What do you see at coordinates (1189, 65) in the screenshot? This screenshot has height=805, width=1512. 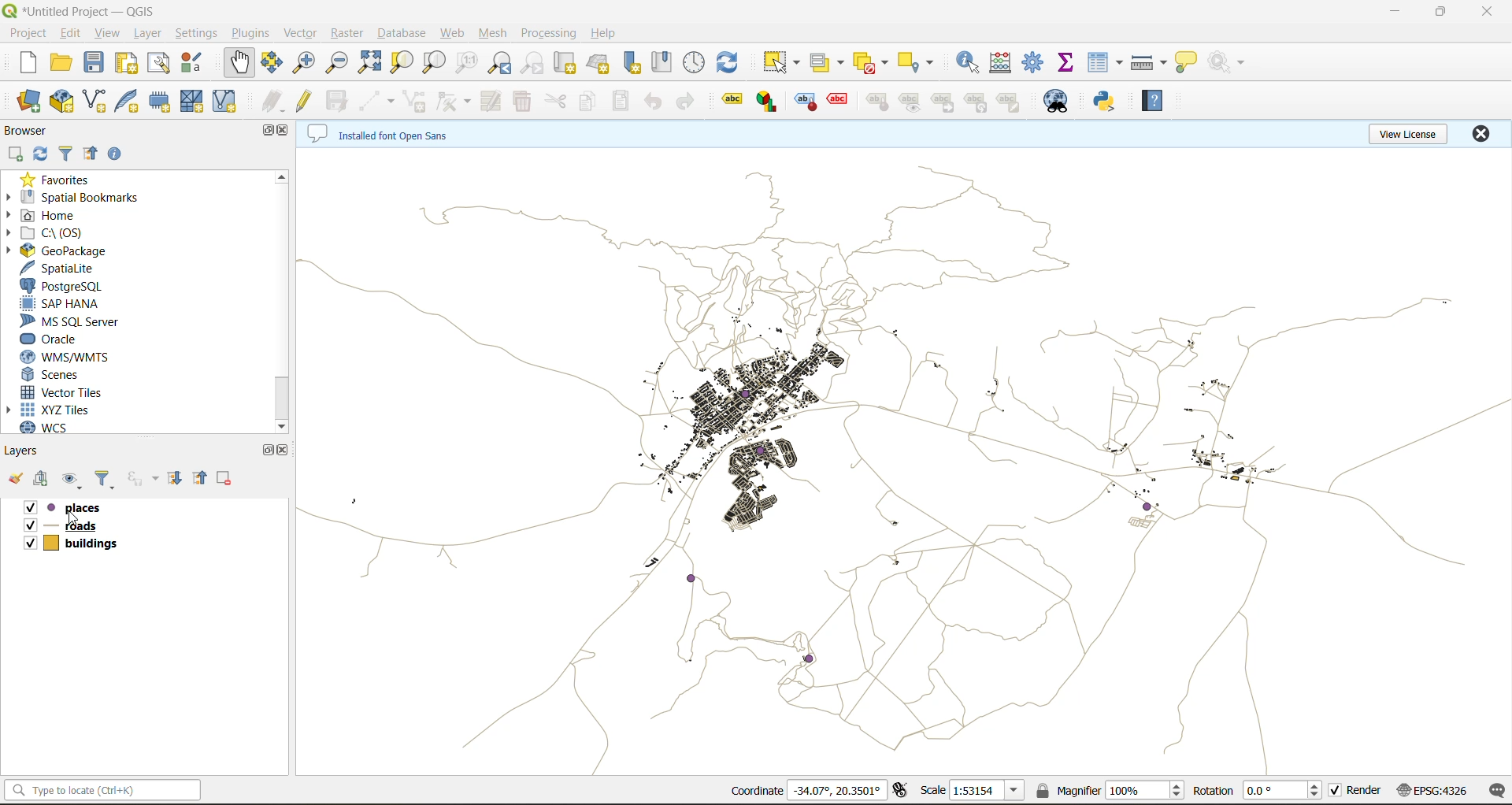 I see `show tips` at bounding box center [1189, 65].